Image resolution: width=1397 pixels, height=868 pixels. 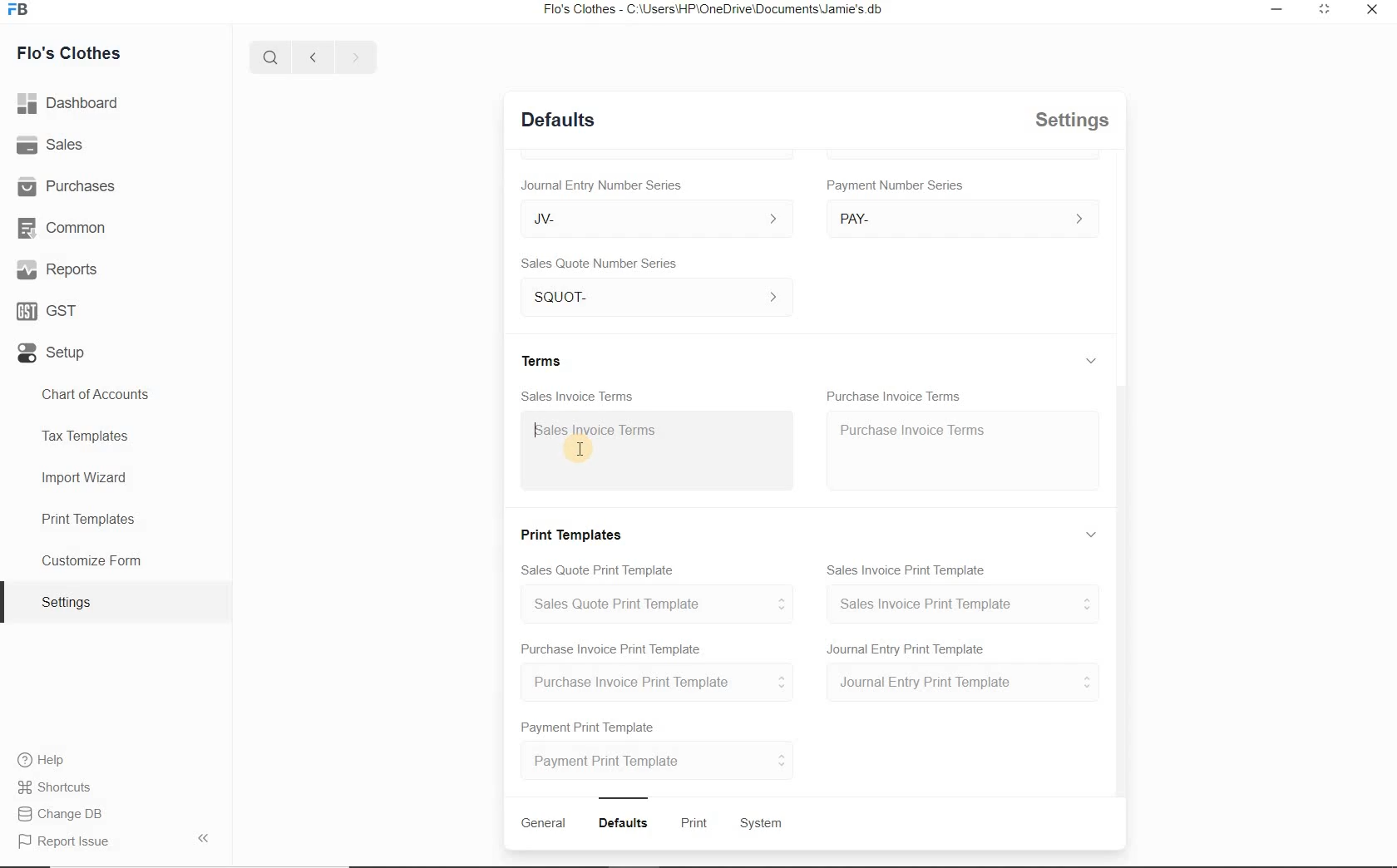 What do you see at coordinates (907, 648) in the screenshot?
I see `Journal Entry Print Template` at bounding box center [907, 648].